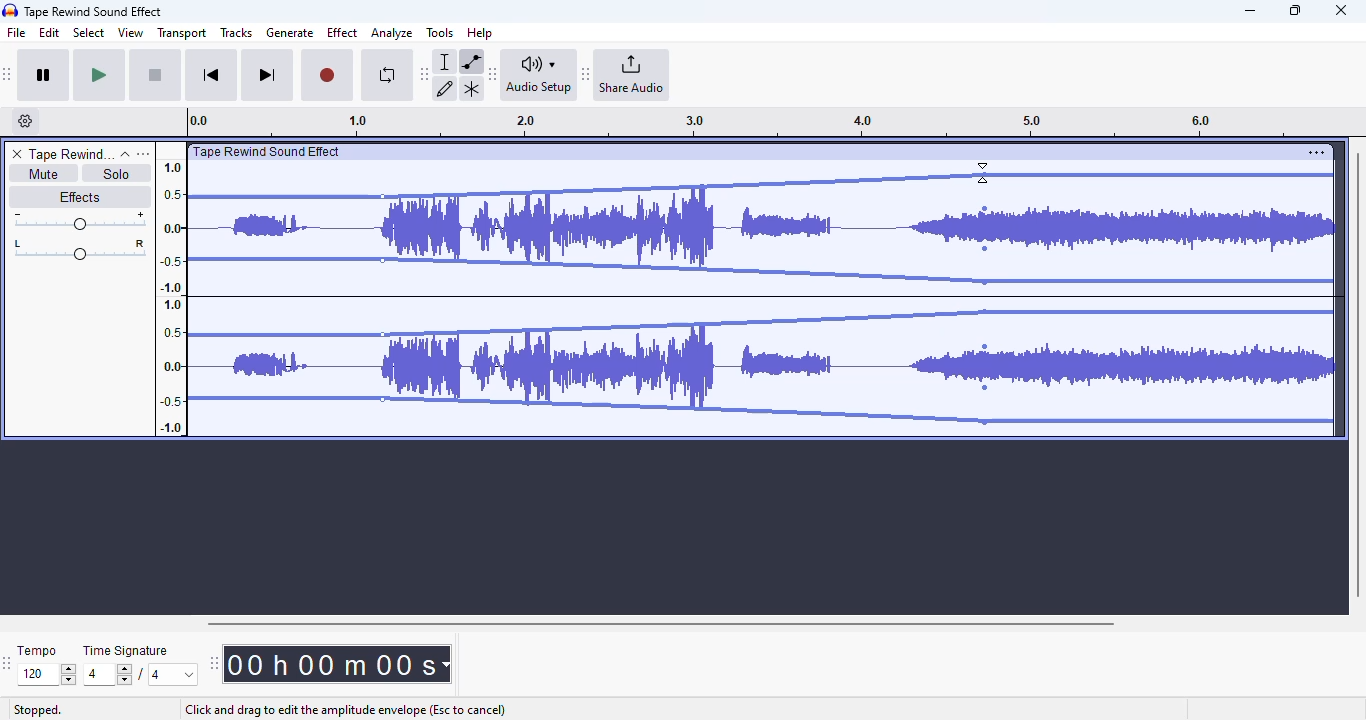 This screenshot has height=720, width=1366. What do you see at coordinates (744, 122) in the screenshot?
I see `Track timeline` at bounding box center [744, 122].